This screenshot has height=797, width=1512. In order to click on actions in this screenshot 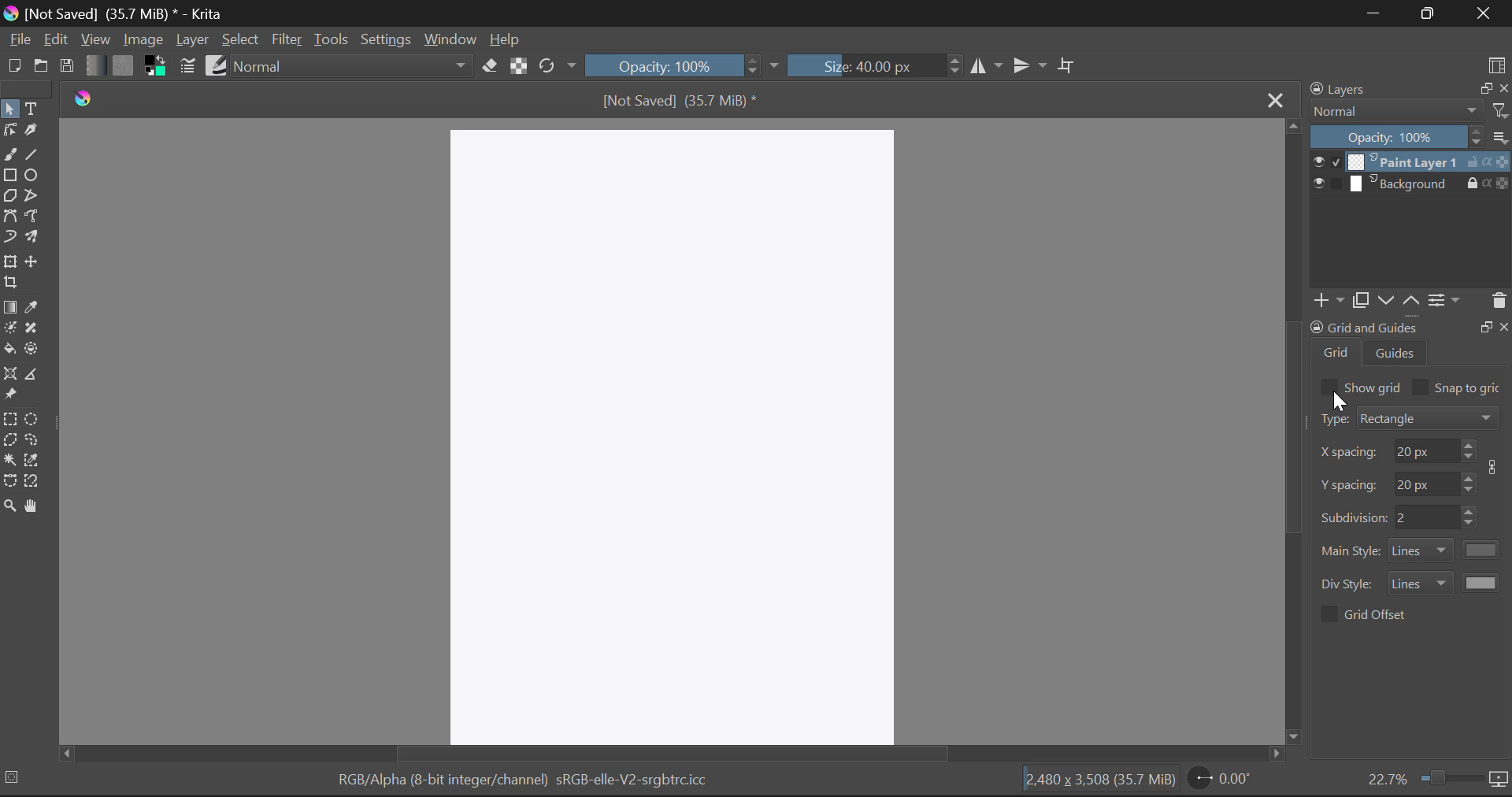, I will do `click(1488, 182)`.